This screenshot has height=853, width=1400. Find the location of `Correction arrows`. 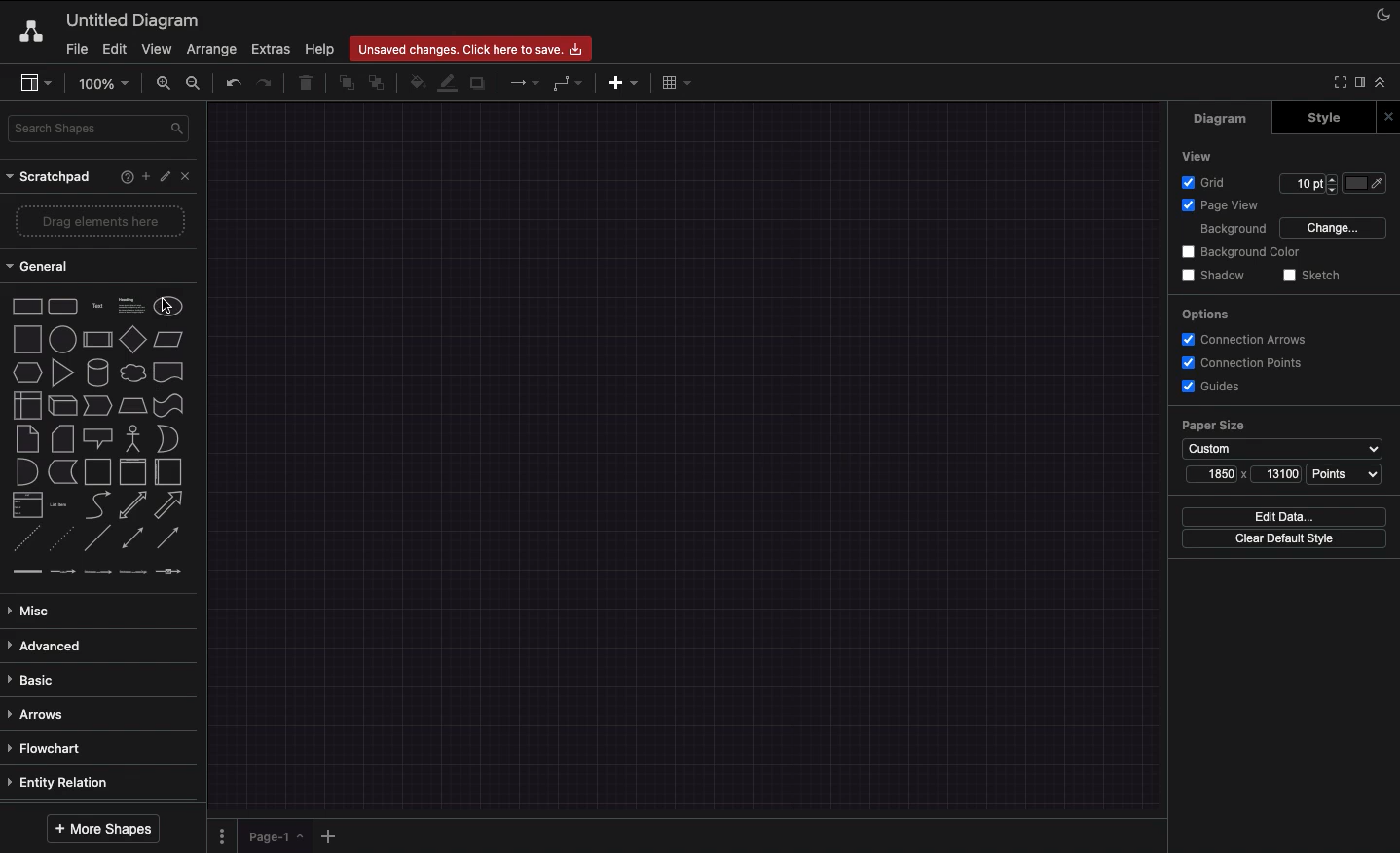

Correction arrows is located at coordinates (1241, 338).